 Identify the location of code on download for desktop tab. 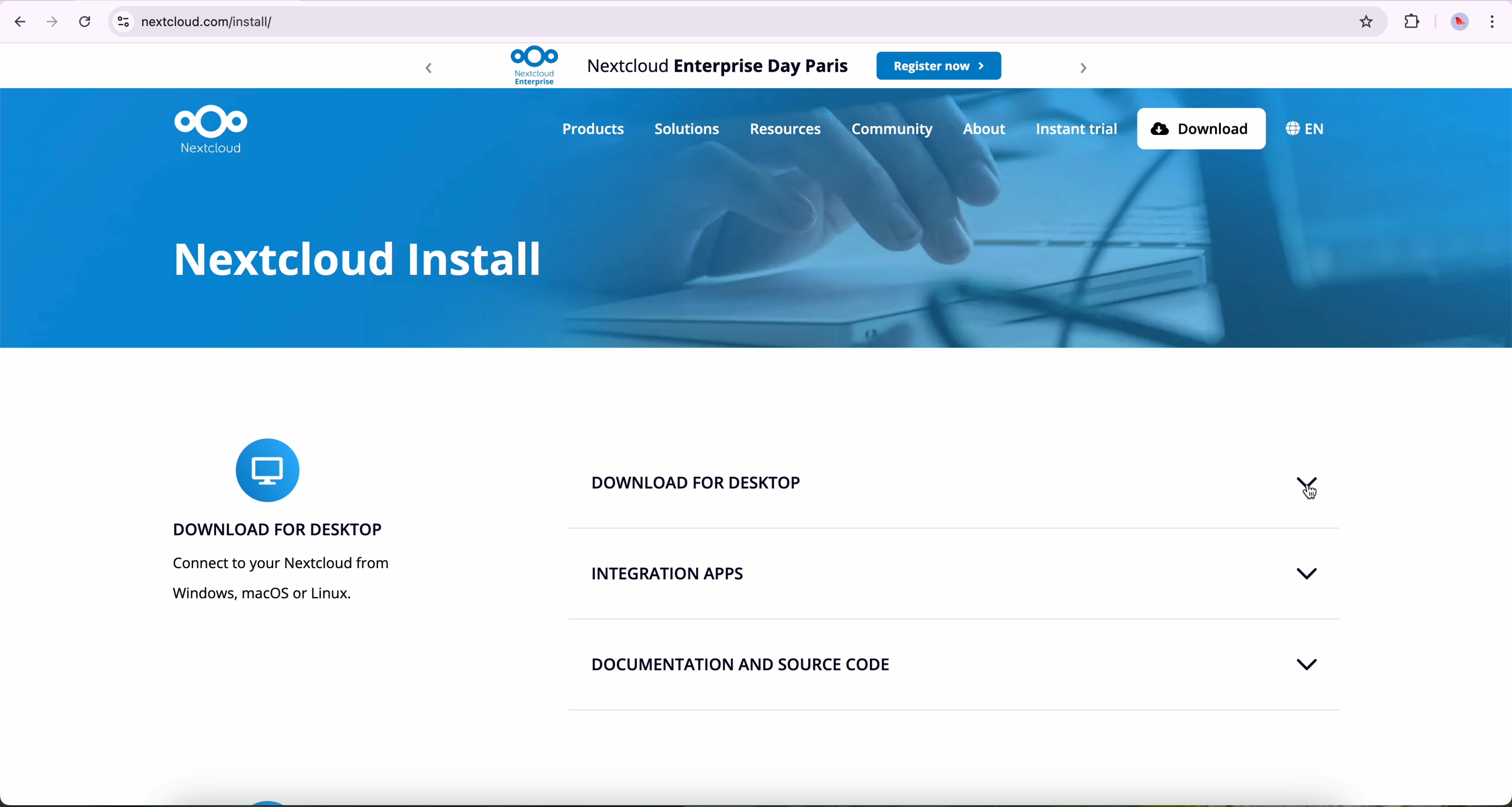
(1308, 487).